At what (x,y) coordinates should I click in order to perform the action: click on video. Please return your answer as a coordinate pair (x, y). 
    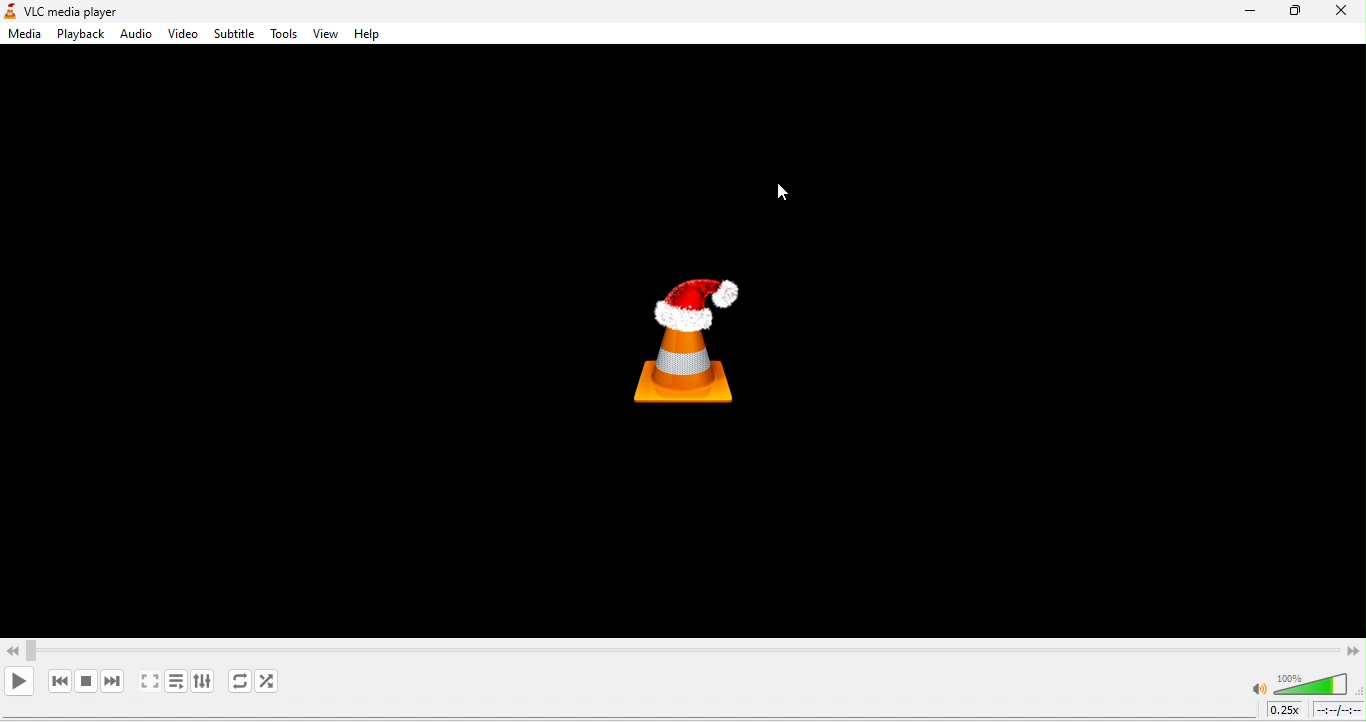
    Looking at the image, I should click on (181, 35).